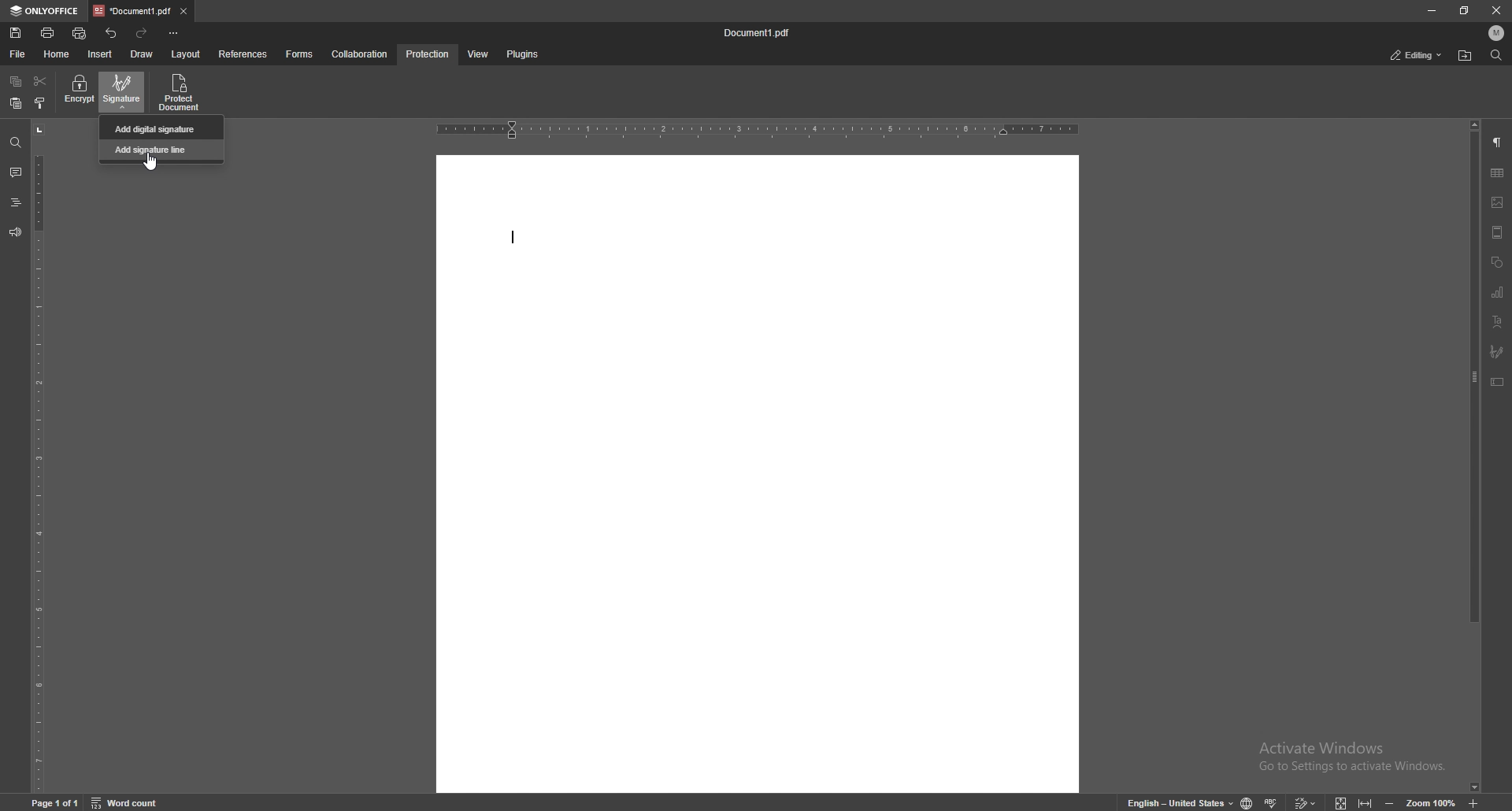  What do you see at coordinates (1497, 33) in the screenshot?
I see `profile` at bounding box center [1497, 33].